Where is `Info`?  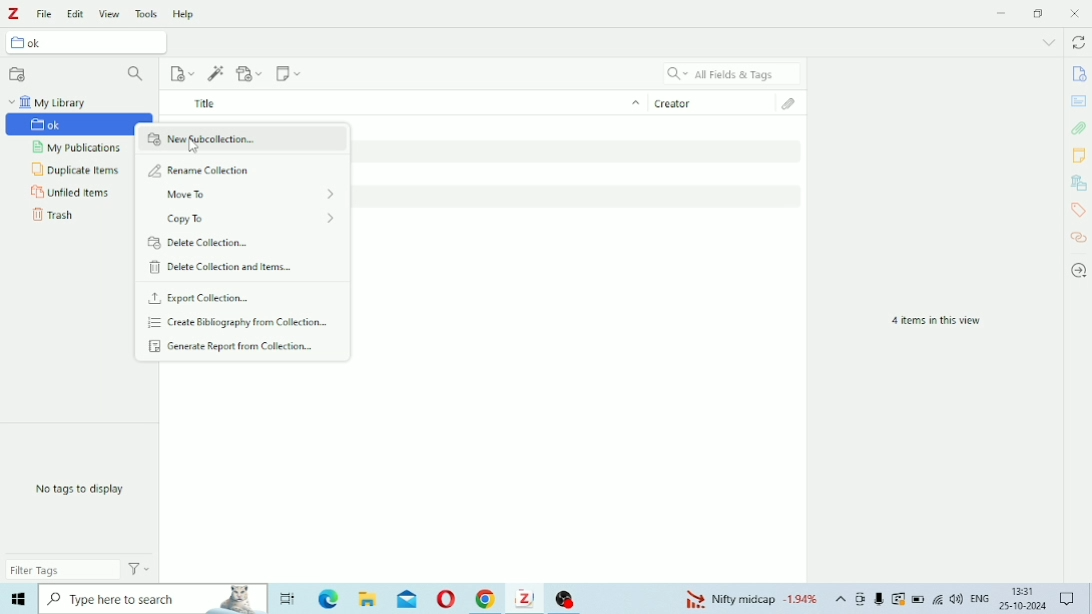 Info is located at coordinates (1078, 74).